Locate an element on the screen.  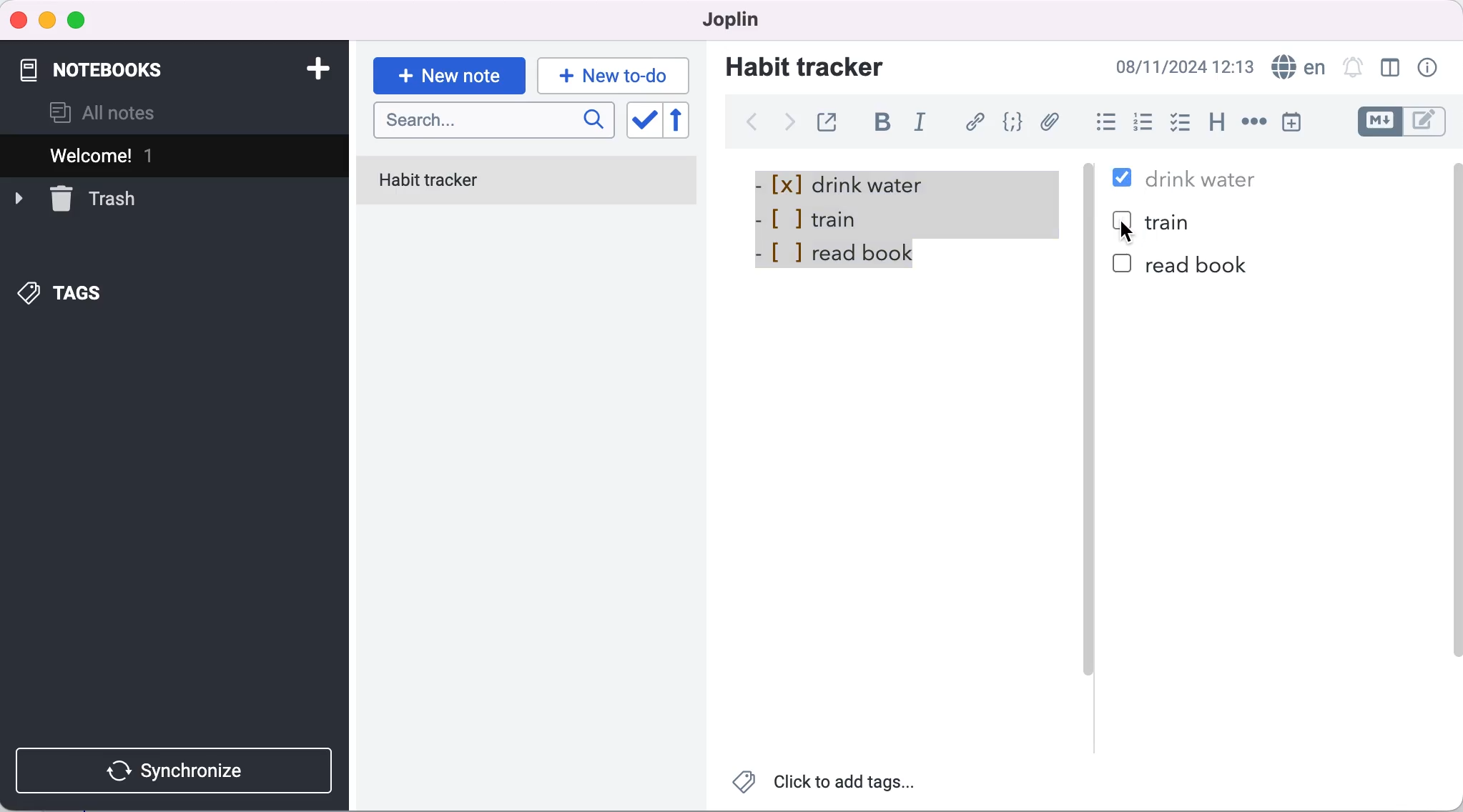
joplin is located at coordinates (725, 19).